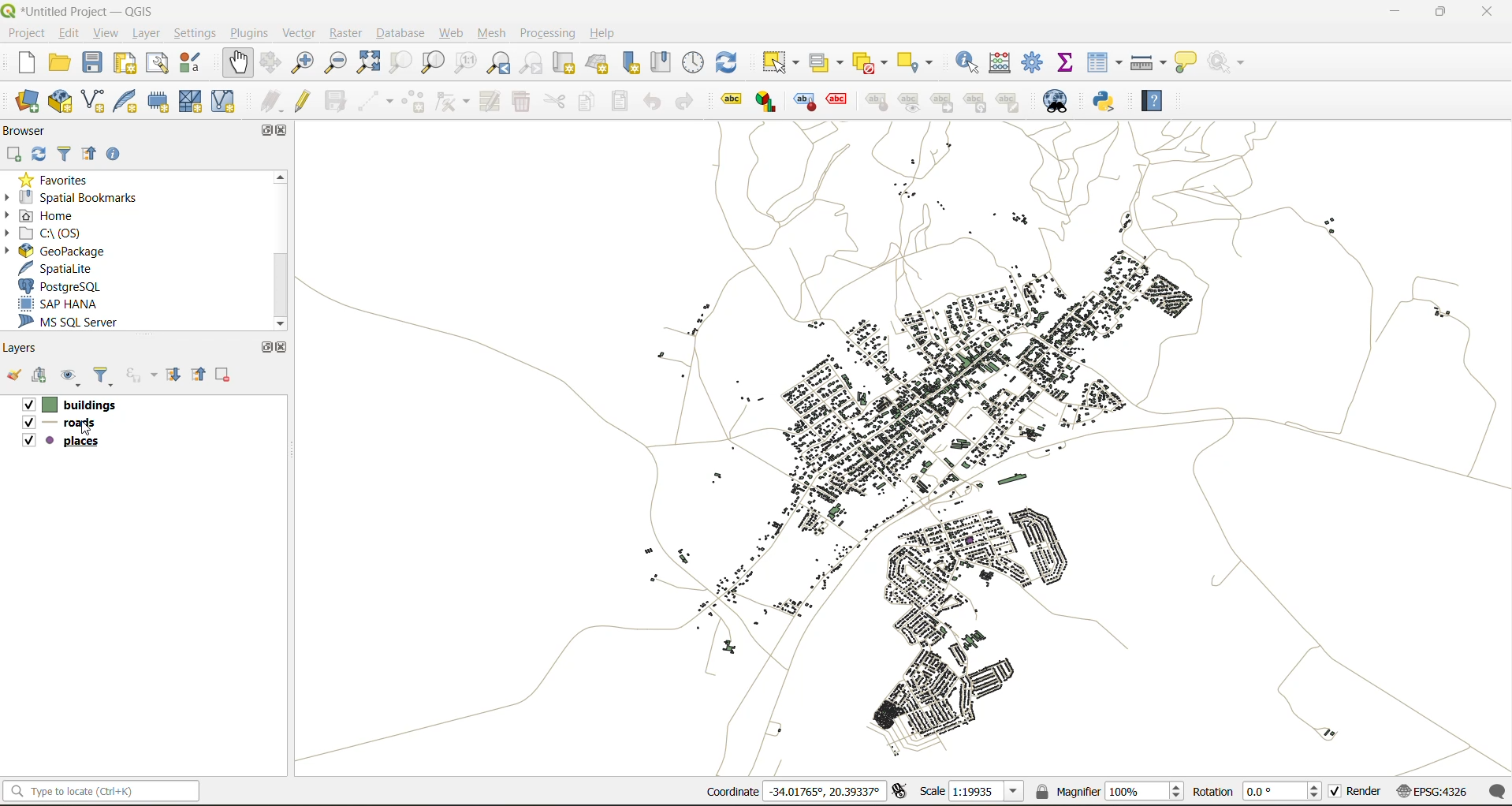  I want to click on zoom full, so click(367, 61).